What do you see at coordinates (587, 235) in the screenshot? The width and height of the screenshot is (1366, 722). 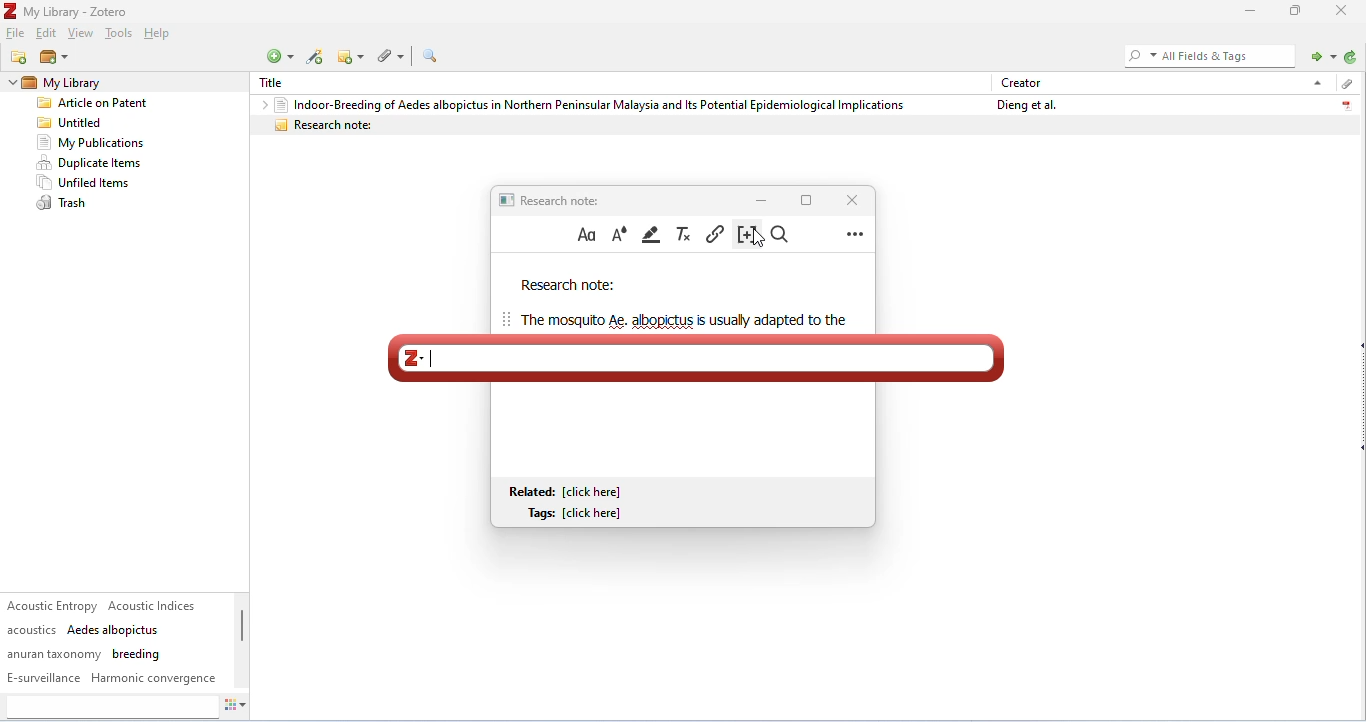 I see `format text` at bounding box center [587, 235].